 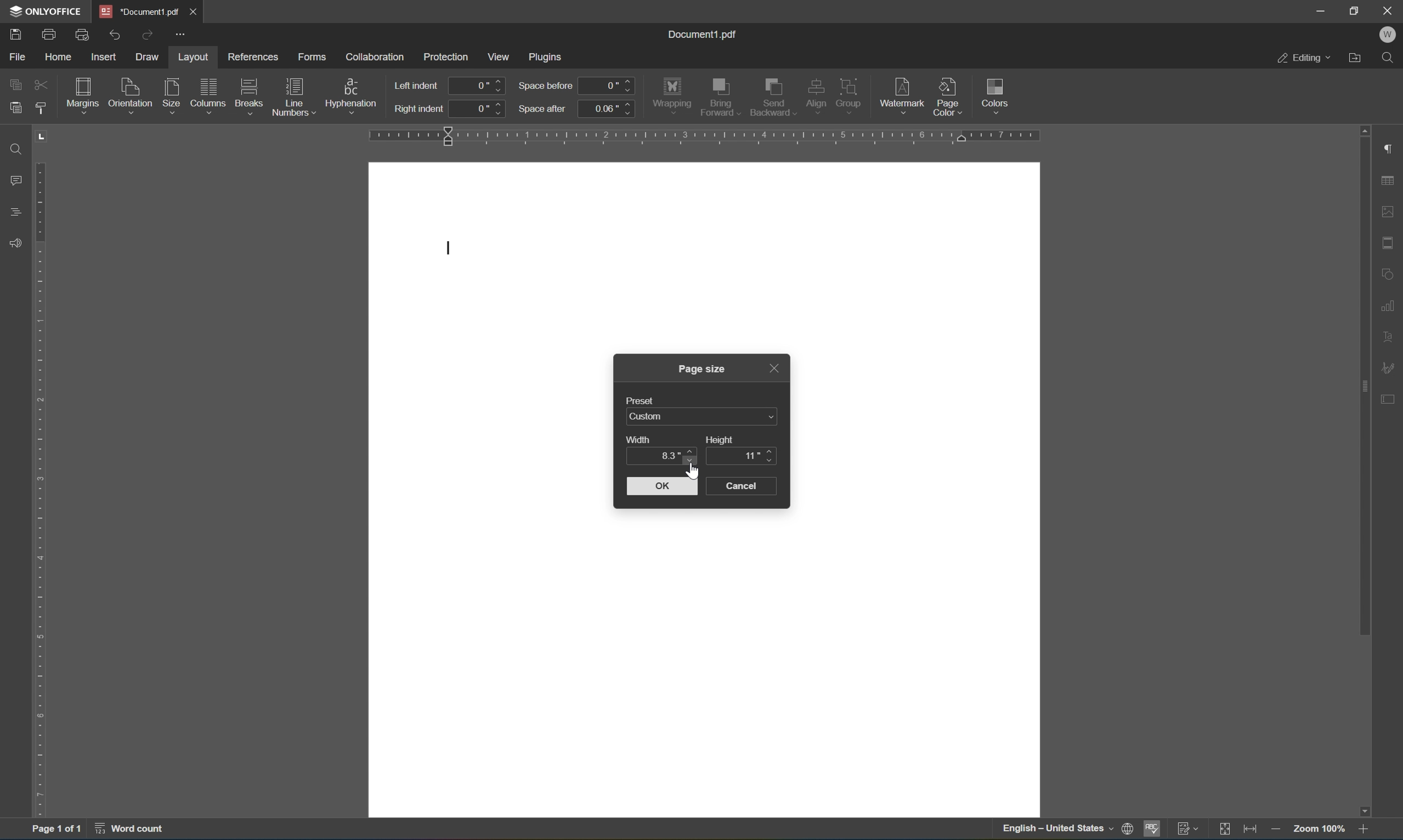 I want to click on width, so click(x=641, y=439).